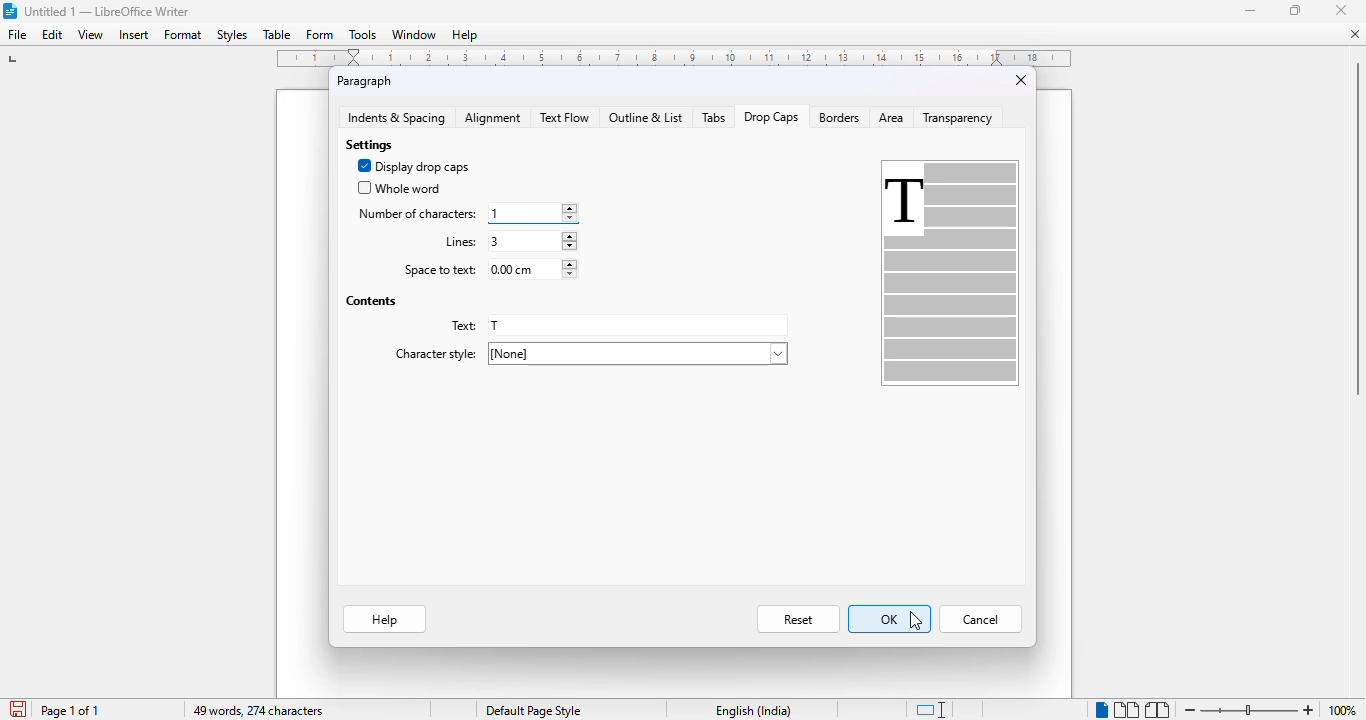 The width and height of the screenshot is (1366, 720). What do you see at coordinates (232, 35) in the screenshot?
I see `styles` at bounding box center [232, 35].